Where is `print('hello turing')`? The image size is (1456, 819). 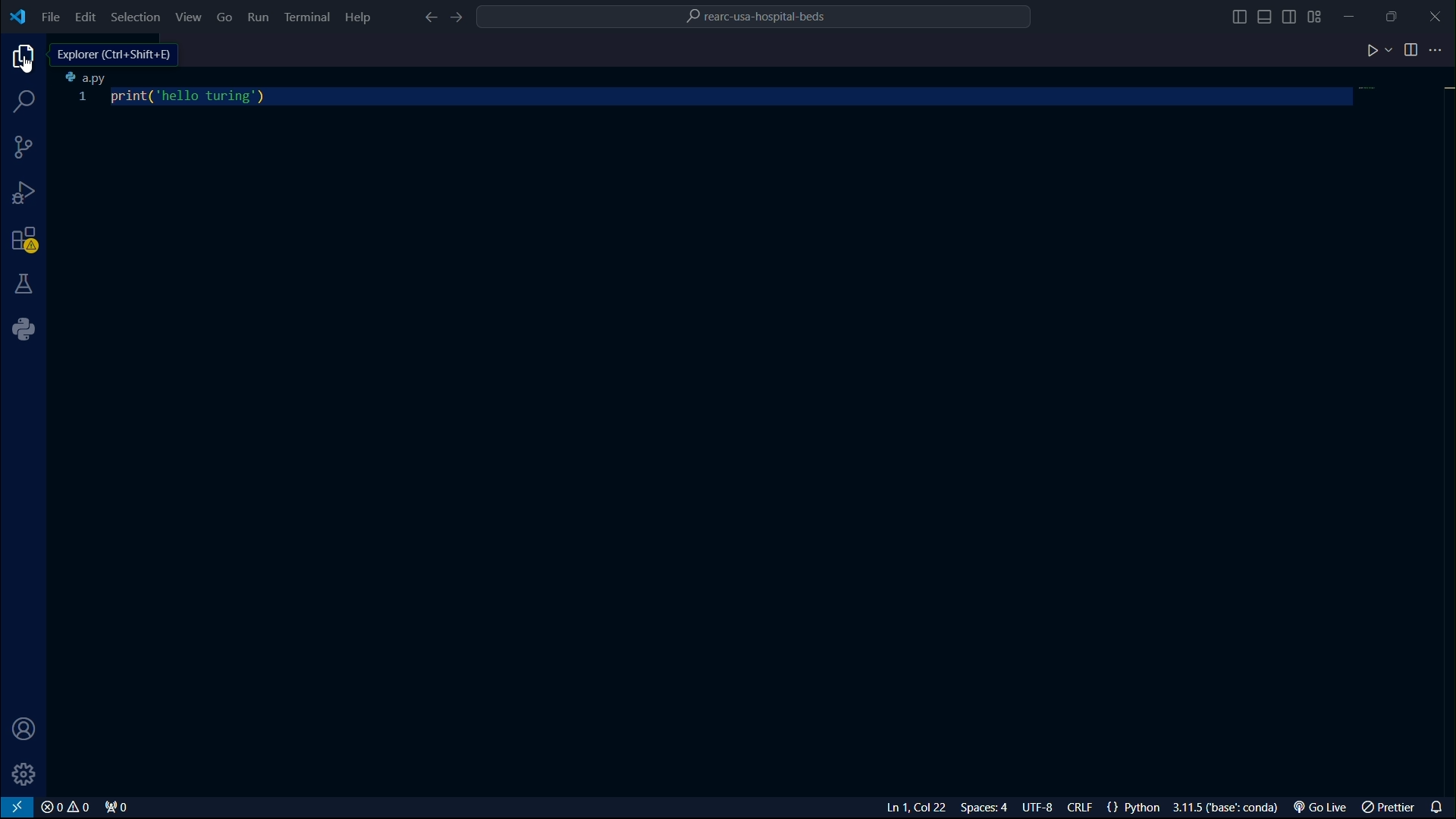 print('hello turing') is located at coordinates (193, 99).